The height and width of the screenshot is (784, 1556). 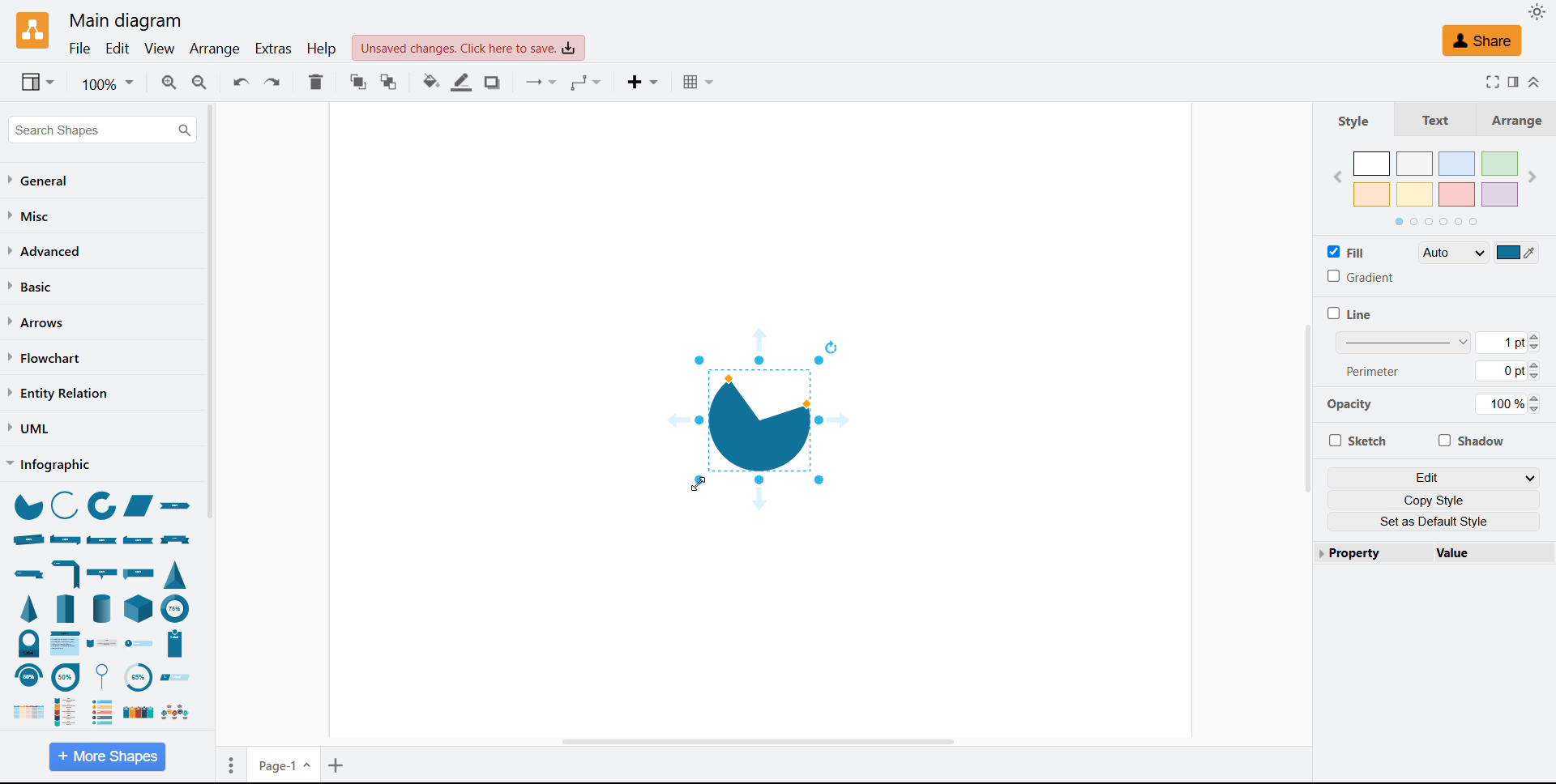 What do you see at coordinates (103, 645) in the screenshot?
I see `roadmap vertical` at bounding box center [103, 645].